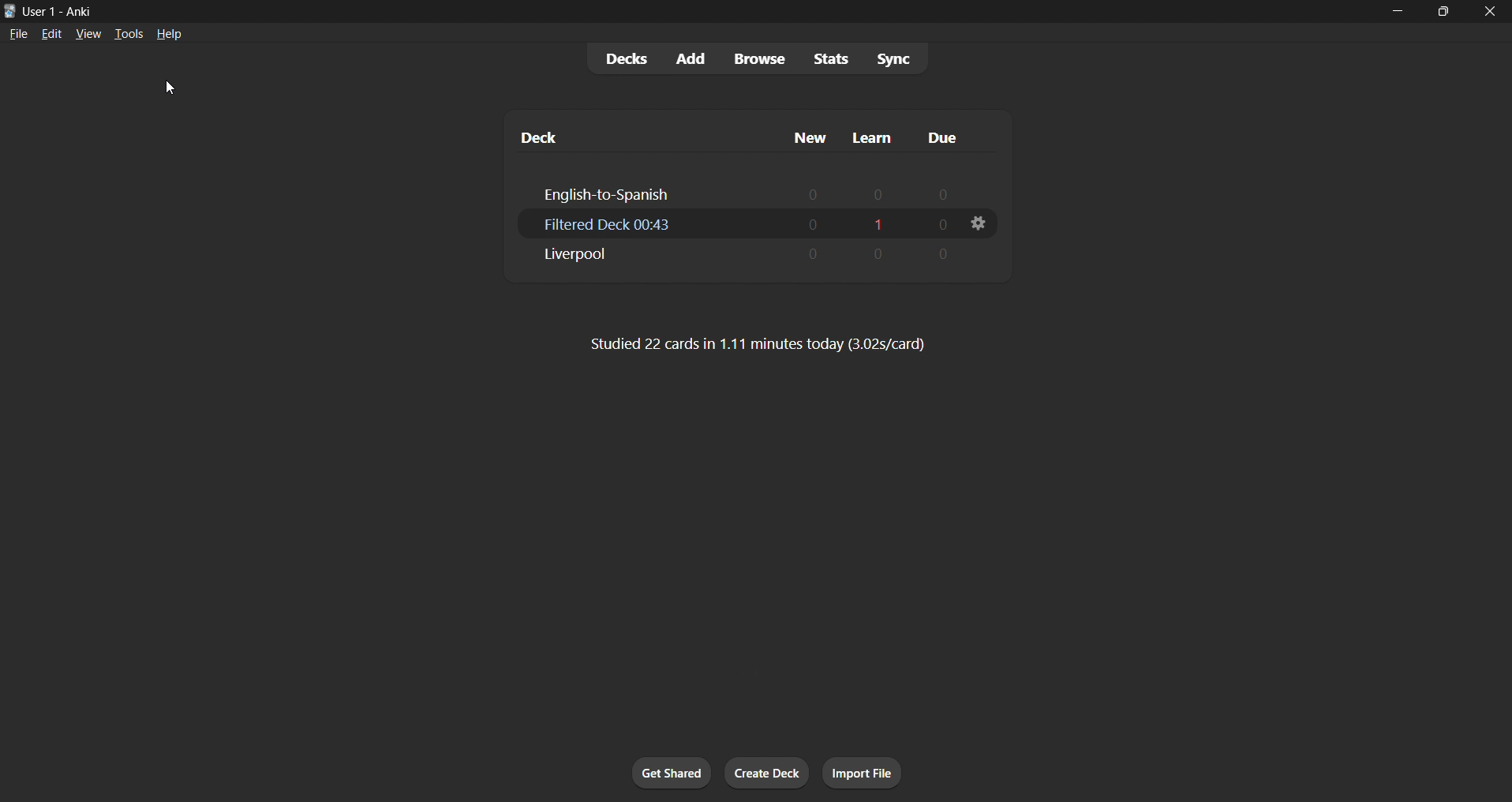  I want to click on filtered deck options, so click(982, 222).